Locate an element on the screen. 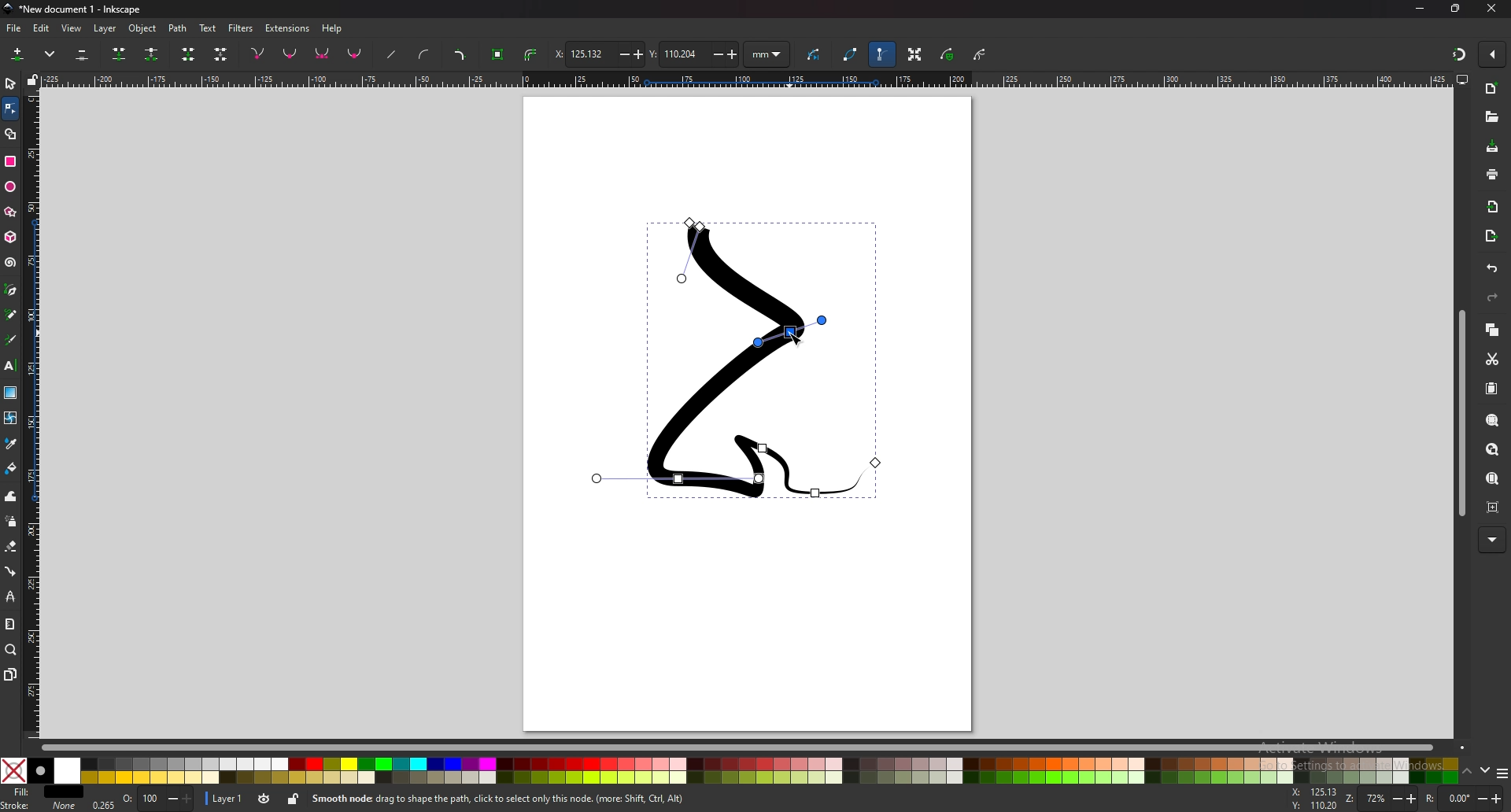 The height and width of the screenshot is (812, 1511). new is located at coordinates (1491, 89).